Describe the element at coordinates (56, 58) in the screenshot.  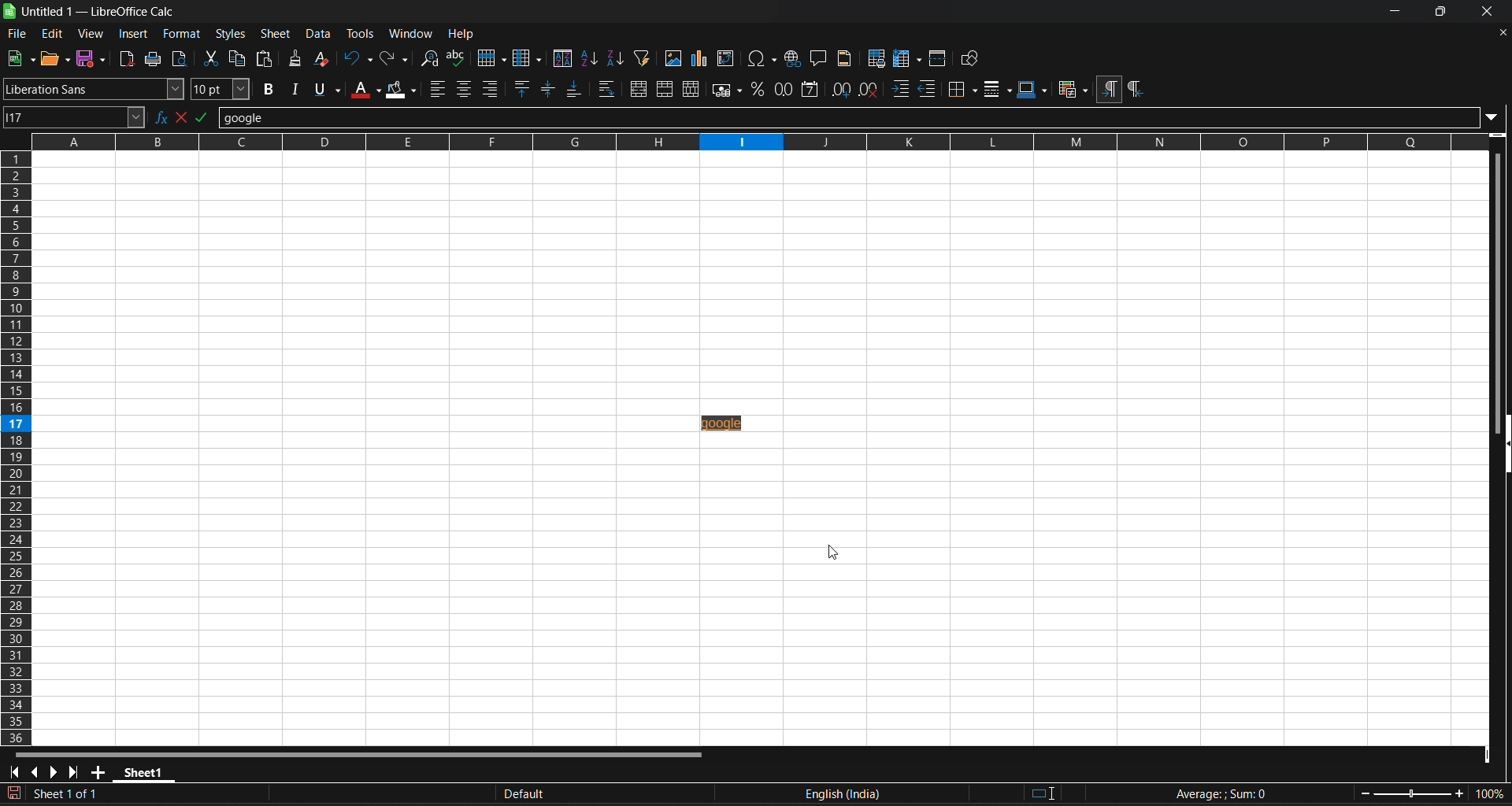
I see `new` at that location.